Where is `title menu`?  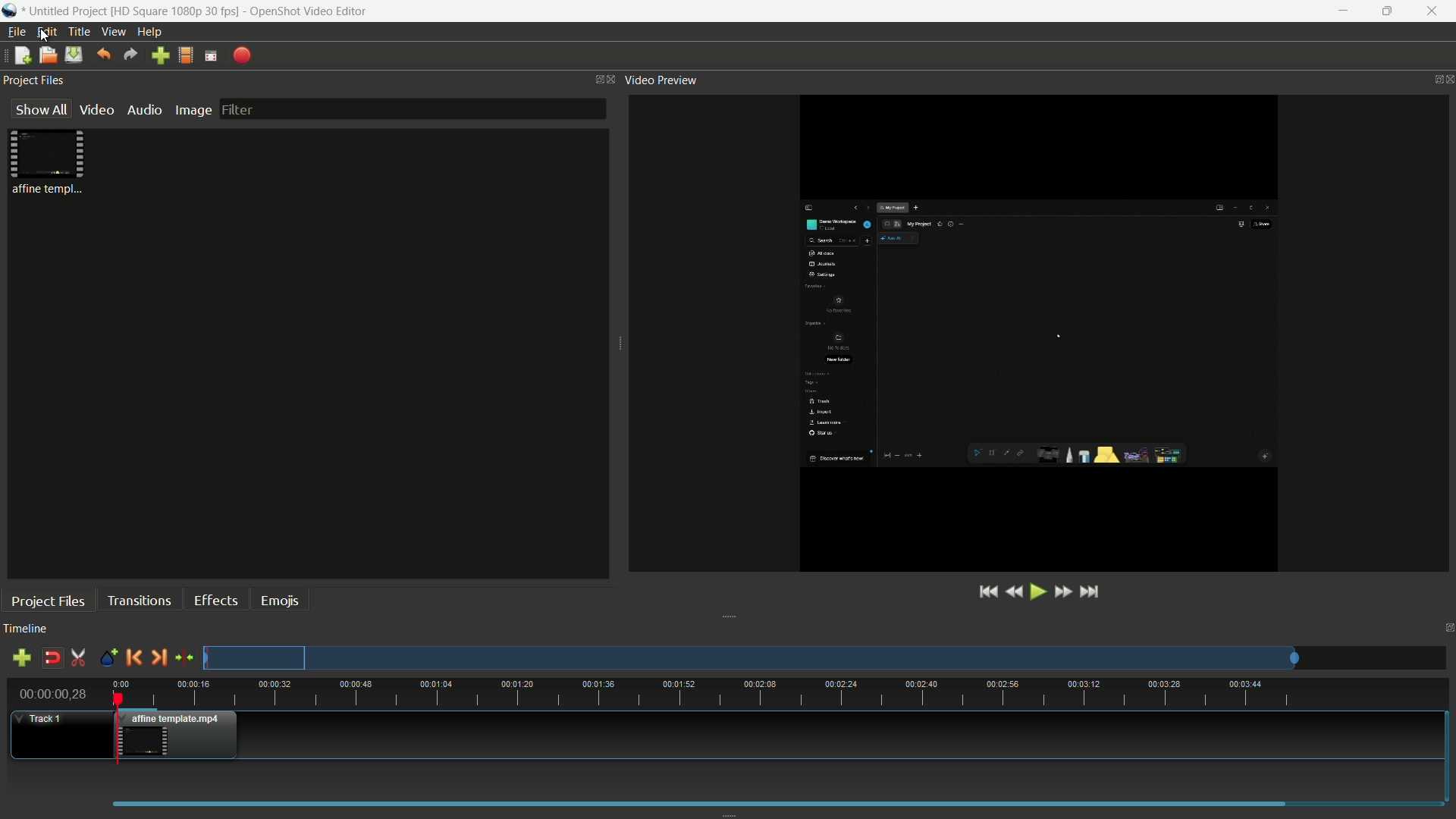
title menu is located at coordinates (79, 31).